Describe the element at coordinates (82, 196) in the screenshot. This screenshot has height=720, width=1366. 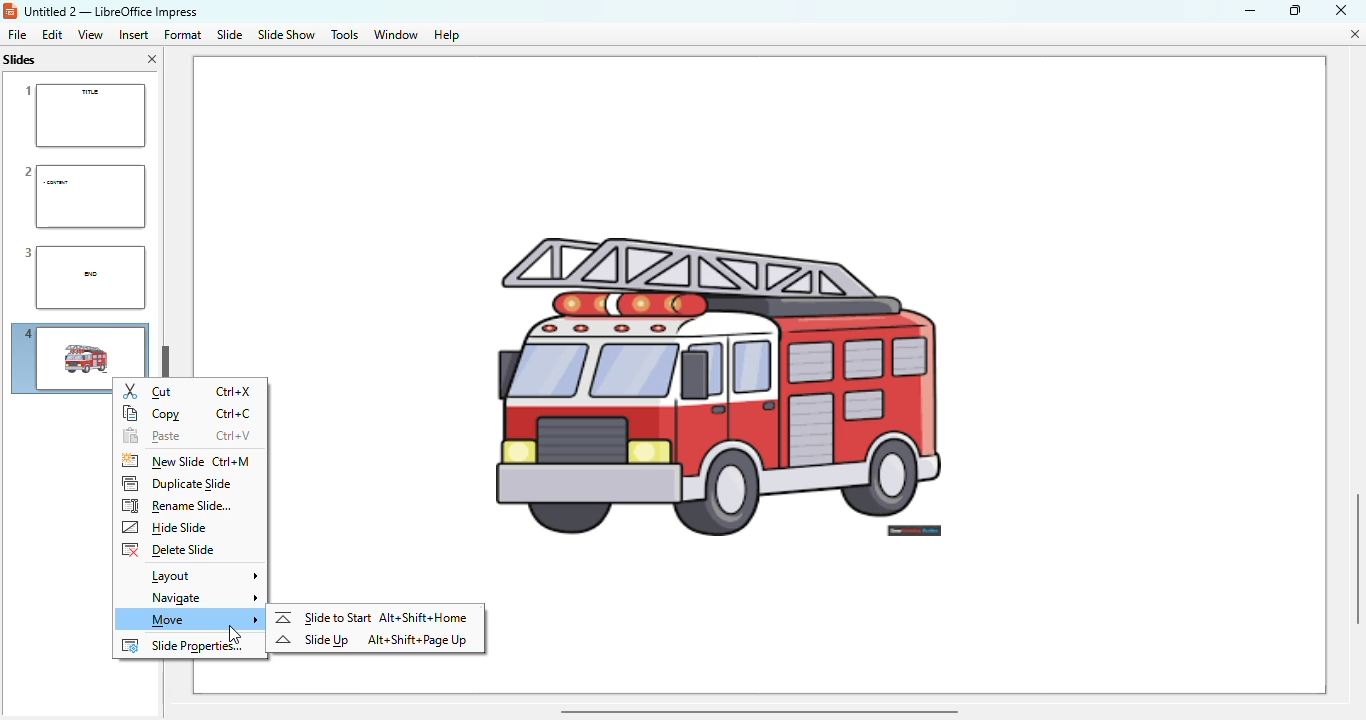
I see `slide 2` at that location.